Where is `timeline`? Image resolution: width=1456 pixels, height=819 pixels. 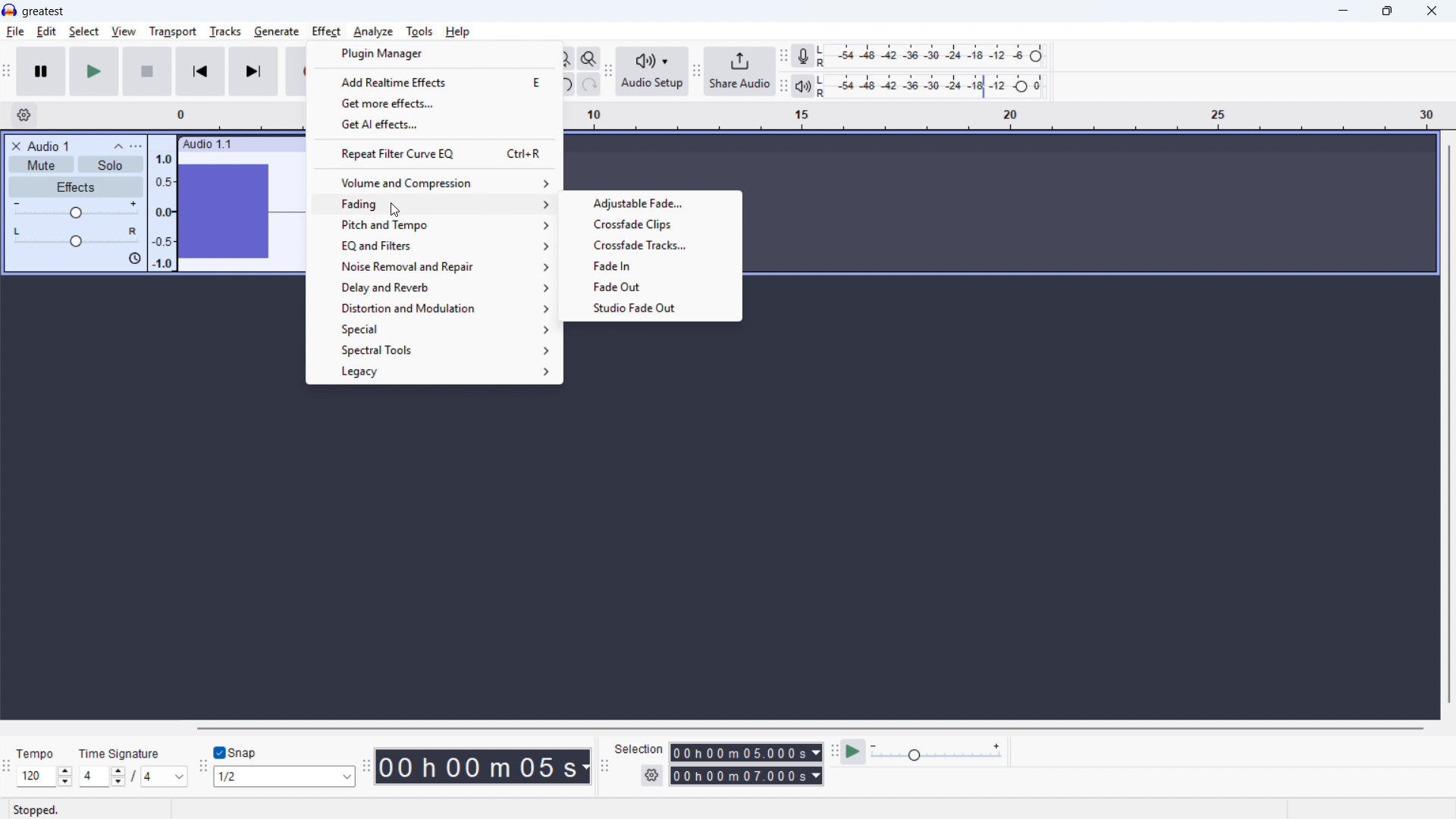 timeline is located at coordinates (229, 115).